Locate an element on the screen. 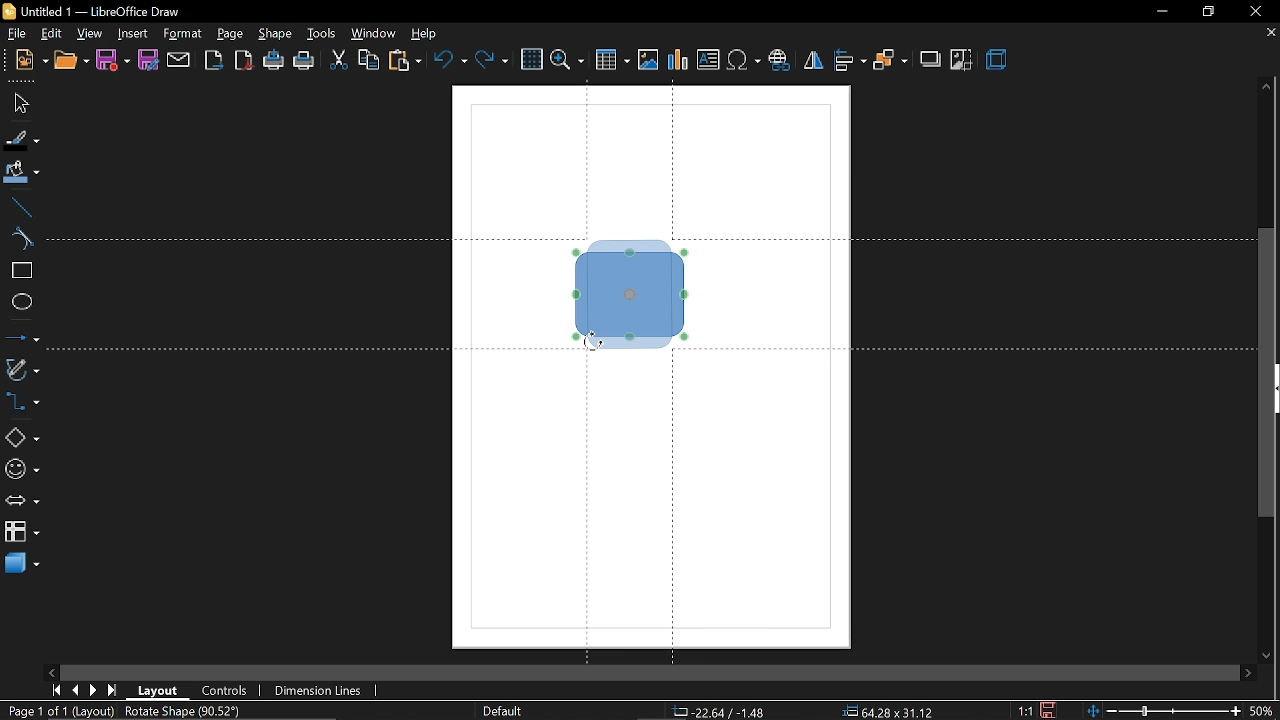 The image size is (1280, 720). current window is located at coordinates (93, 11).